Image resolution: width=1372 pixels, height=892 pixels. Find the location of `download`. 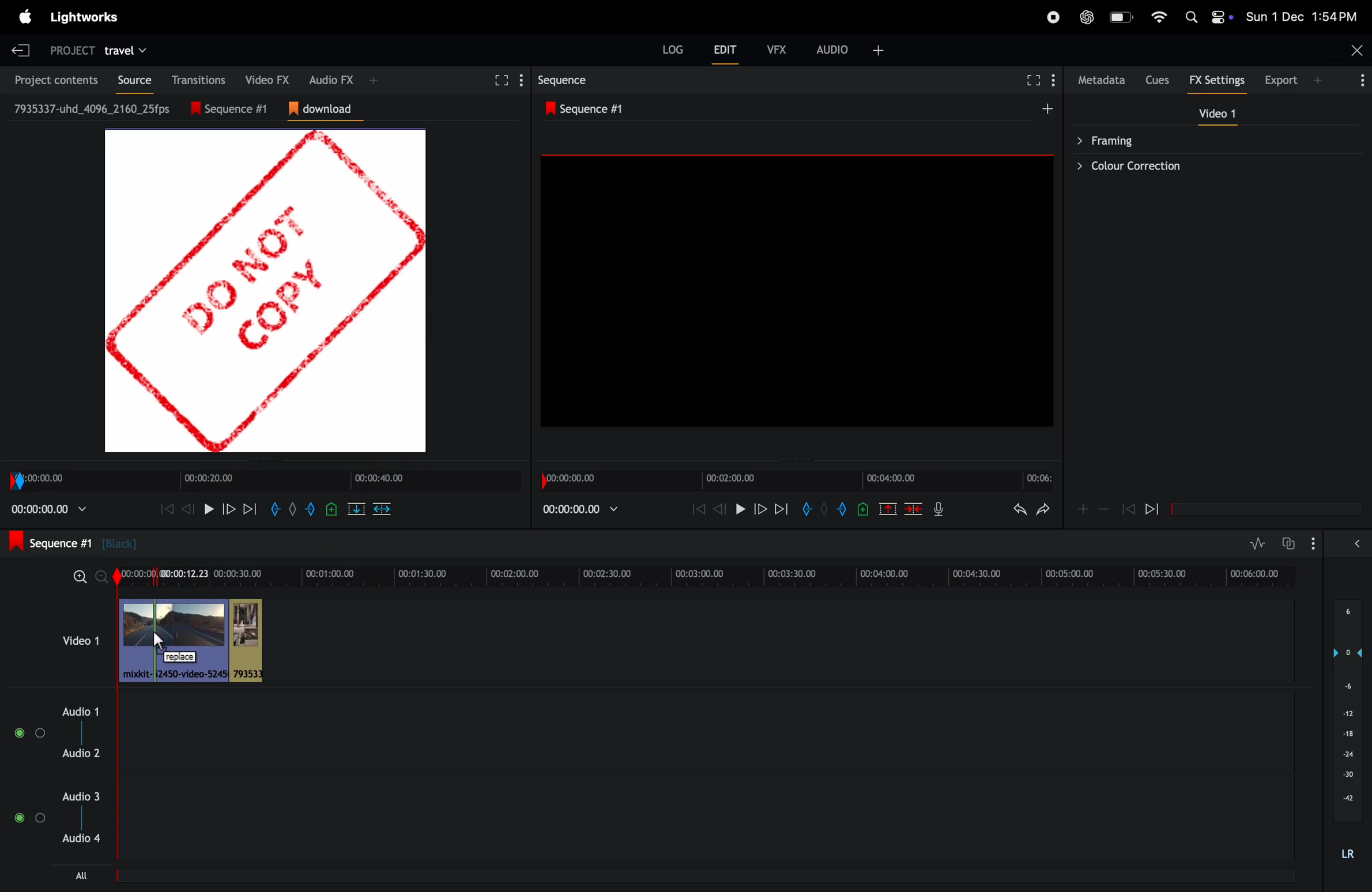

download is located at coordinates (326, 109).